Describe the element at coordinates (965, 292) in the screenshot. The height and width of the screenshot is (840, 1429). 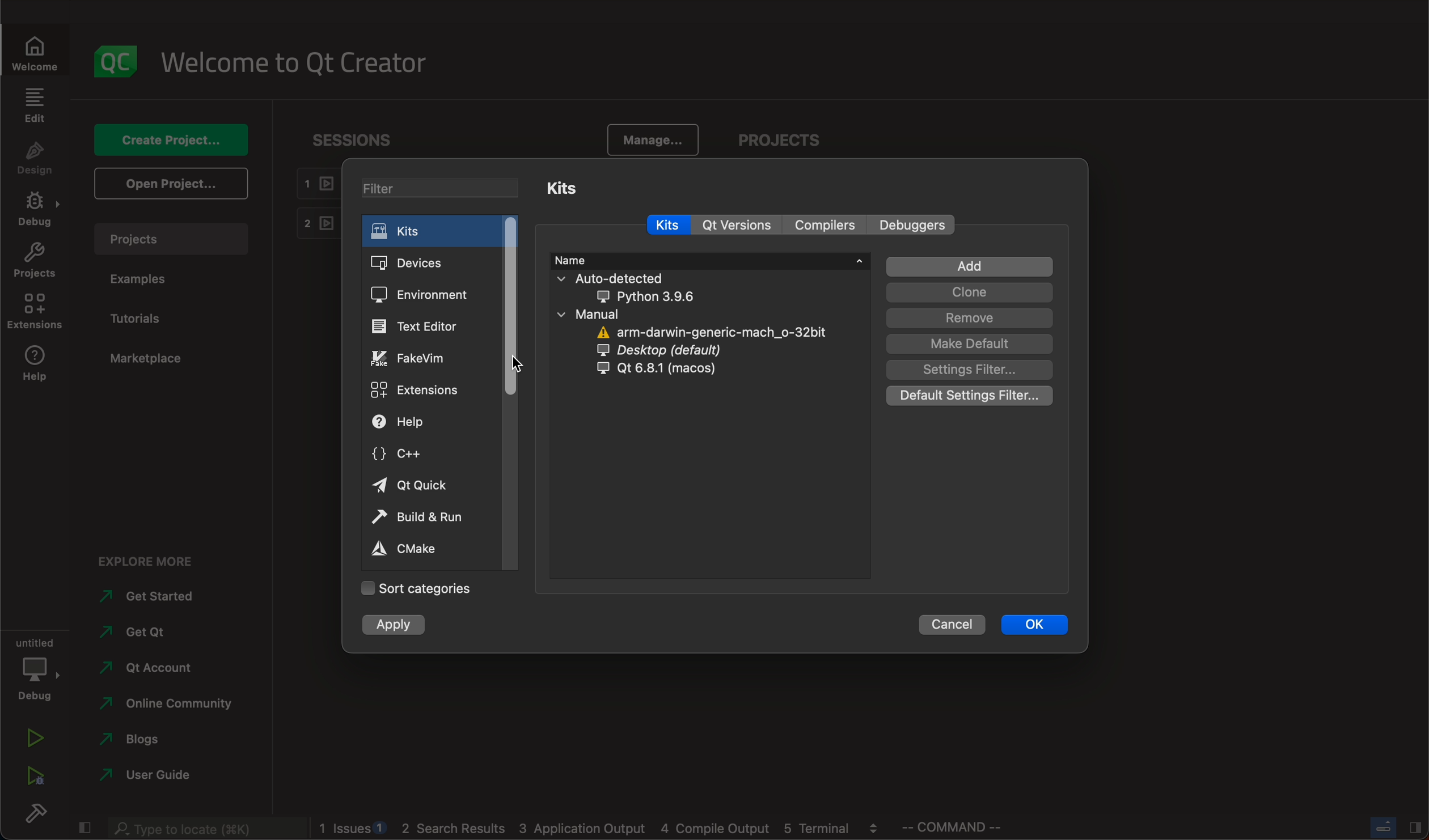
I see `clone` at that location.